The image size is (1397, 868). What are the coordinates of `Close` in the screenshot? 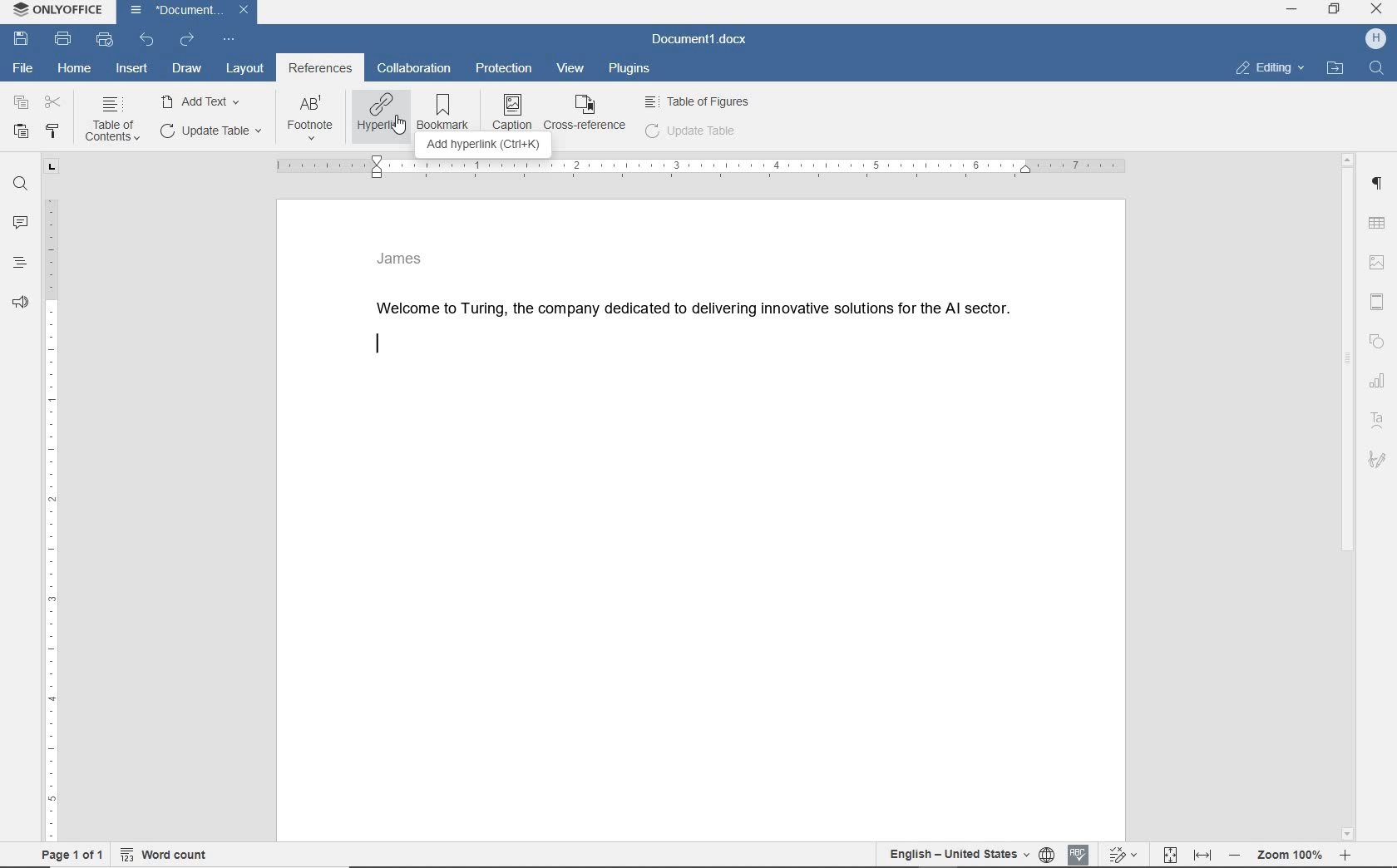 It's located at (1378, 11).